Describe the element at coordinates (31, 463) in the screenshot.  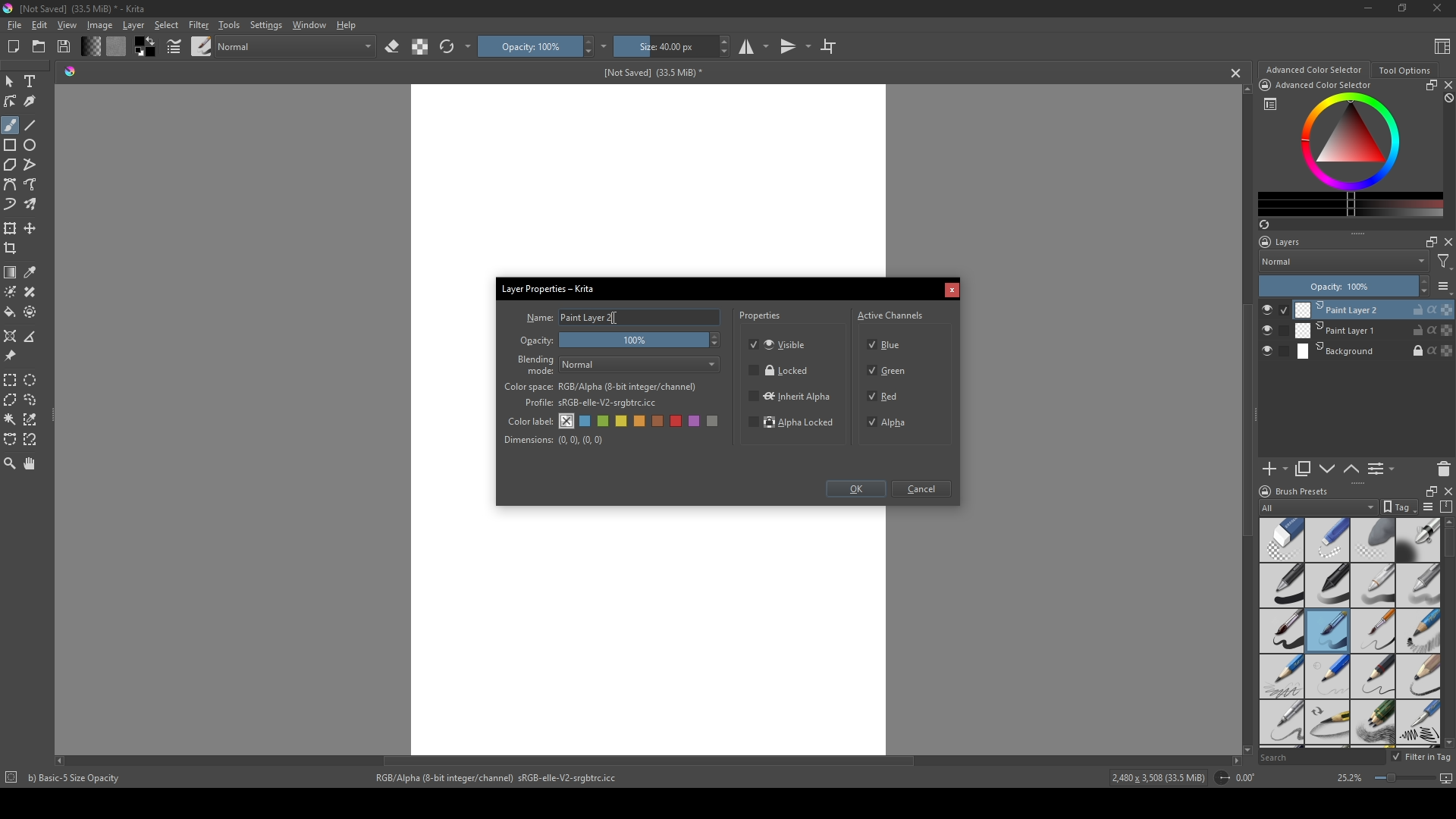
I see `pan` at that location.